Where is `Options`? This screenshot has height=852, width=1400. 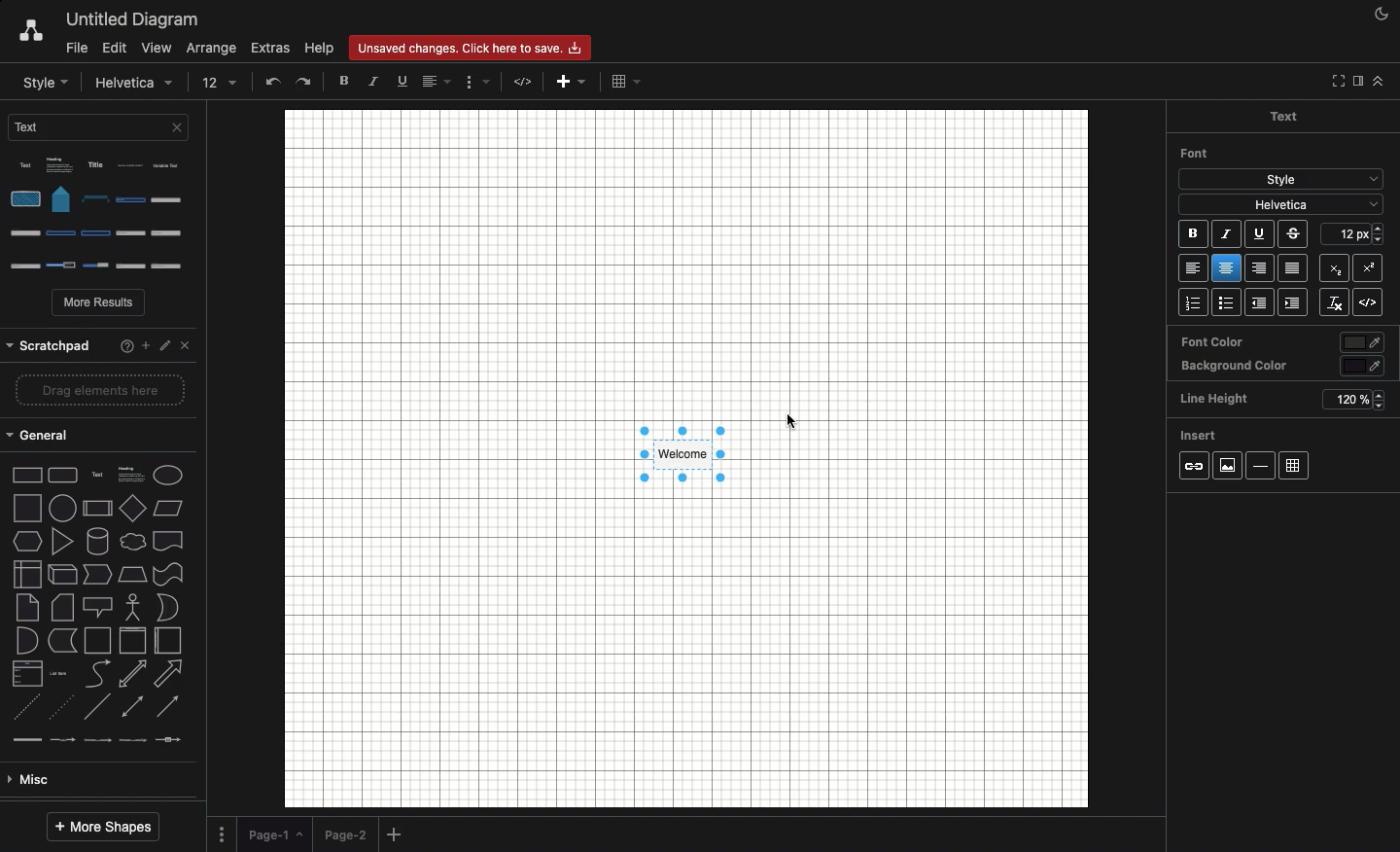
Options is located at coordinates (222, 833).